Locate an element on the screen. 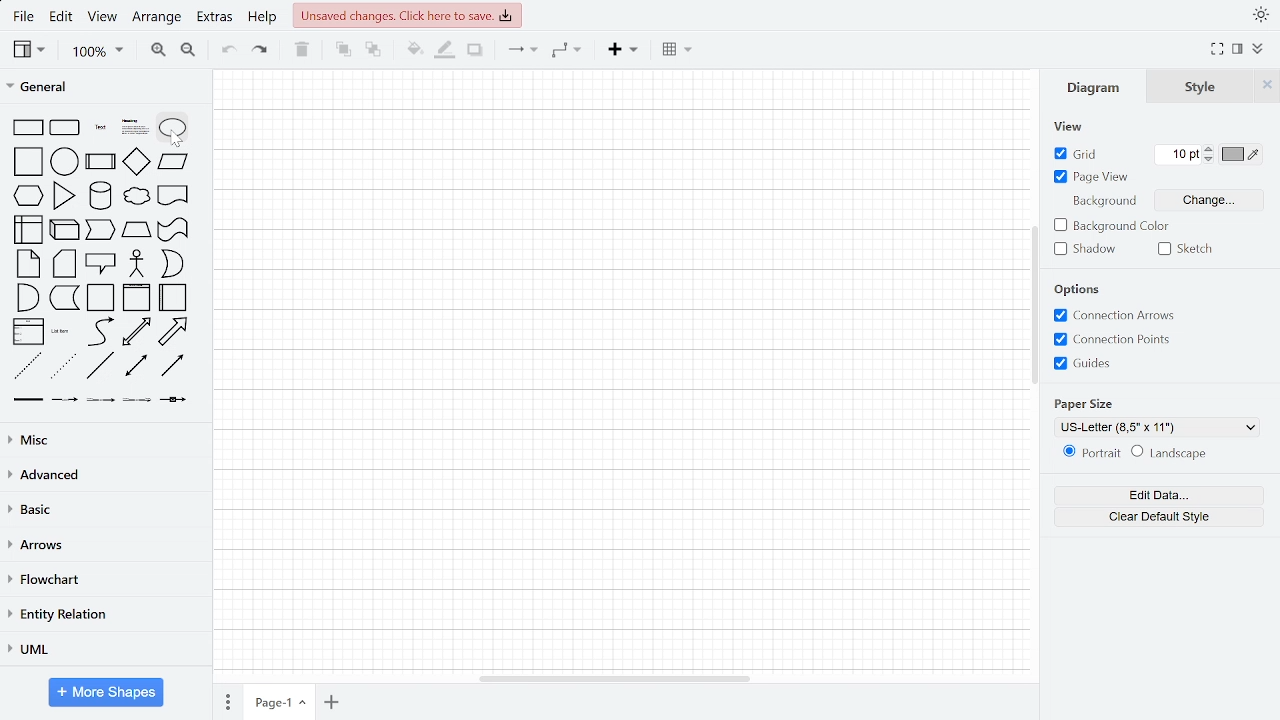 The width and height of the screenshot is (1280, 720). list item is located at coordinates (61, 333).